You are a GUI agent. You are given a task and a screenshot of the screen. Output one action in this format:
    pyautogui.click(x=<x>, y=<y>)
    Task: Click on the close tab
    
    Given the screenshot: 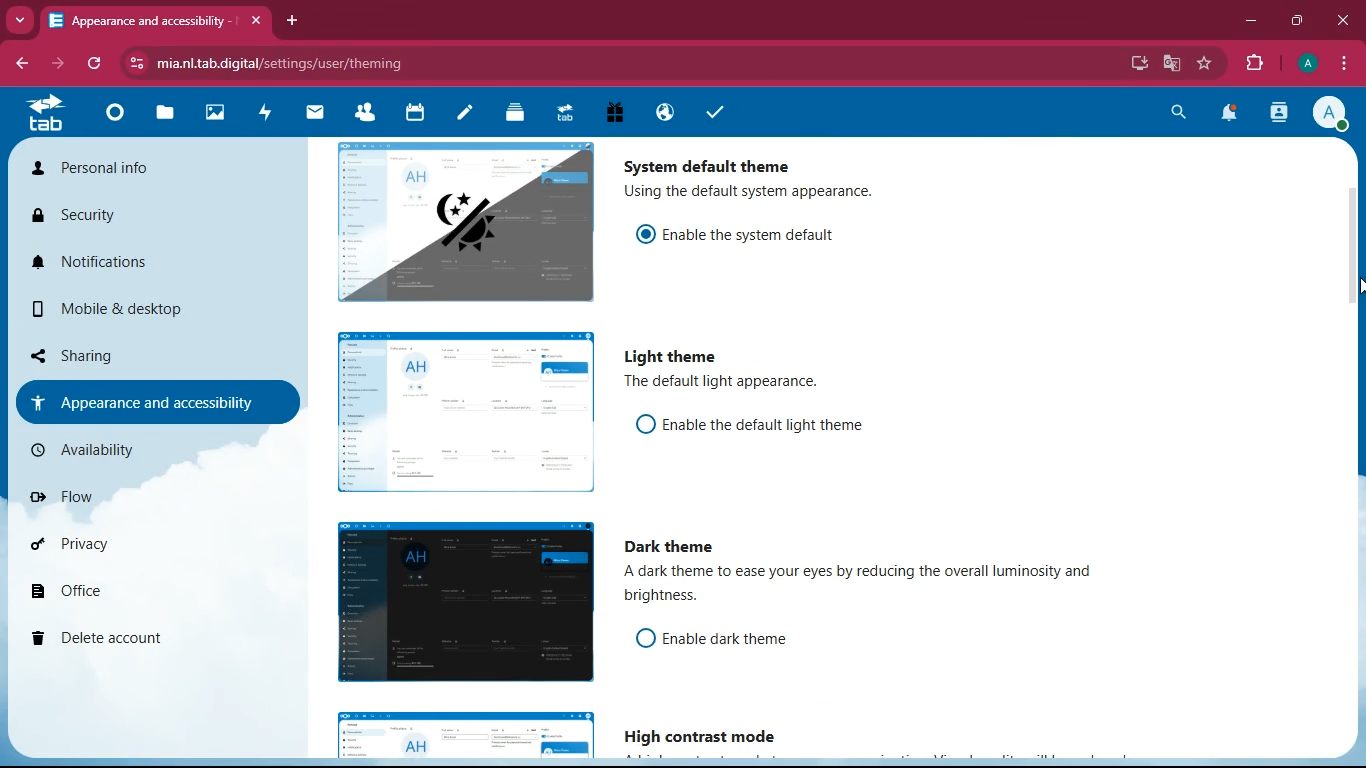 What is the action you would take?
    pyautogui.click(x=256, y=21)
    